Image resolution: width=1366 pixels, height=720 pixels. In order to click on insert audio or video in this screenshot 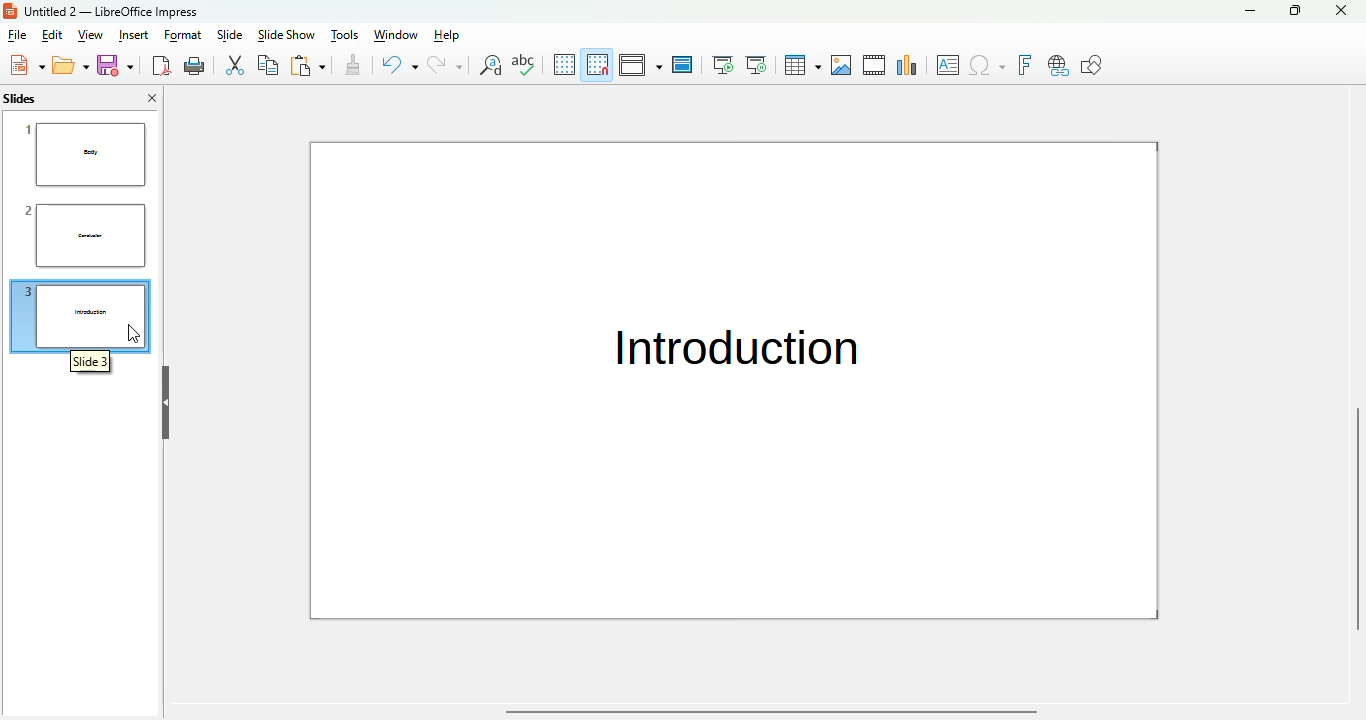, I will do `click(875, 65)`.